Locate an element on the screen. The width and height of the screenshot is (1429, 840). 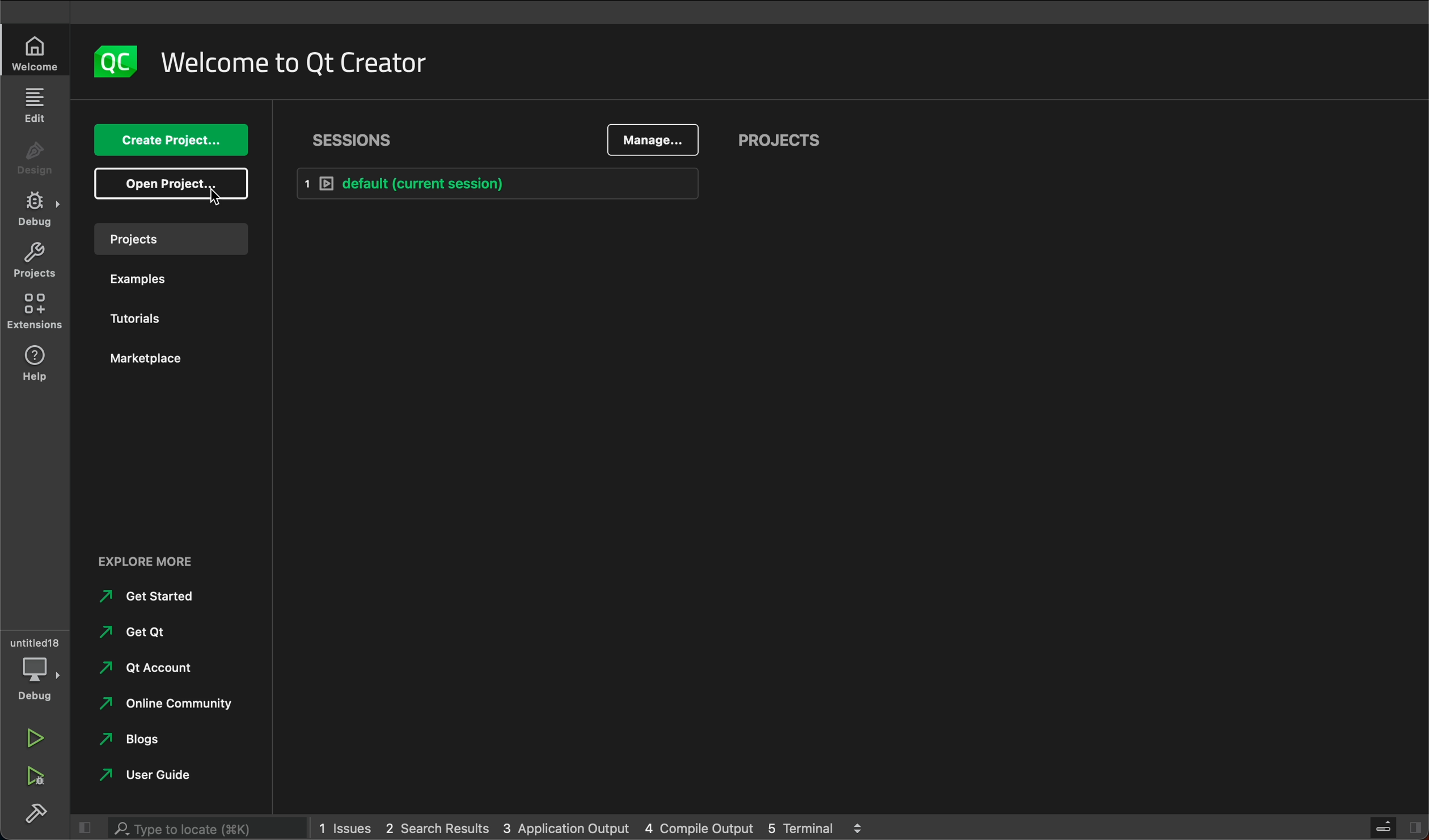
help is located at coordinates (35, 361).